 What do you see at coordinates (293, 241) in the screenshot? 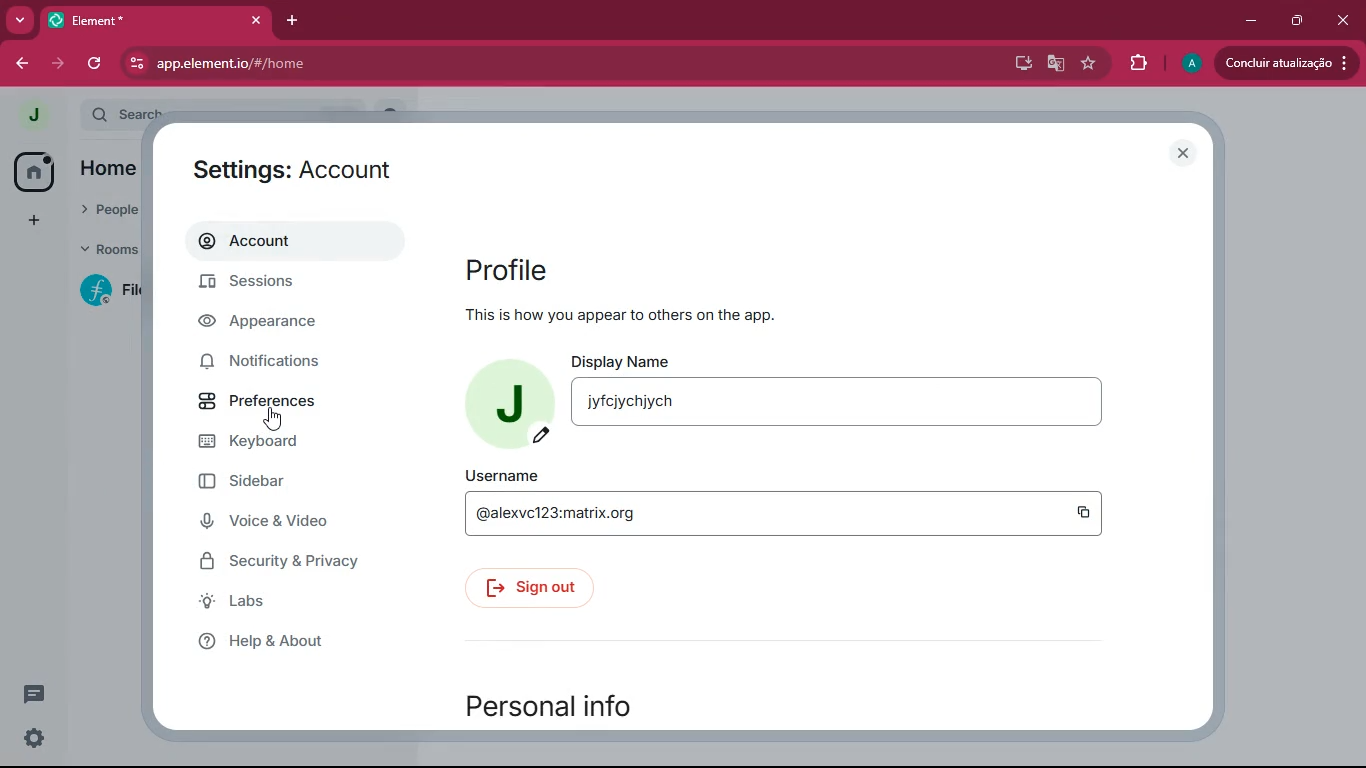
I see `account` at bounding box center [293, 241].